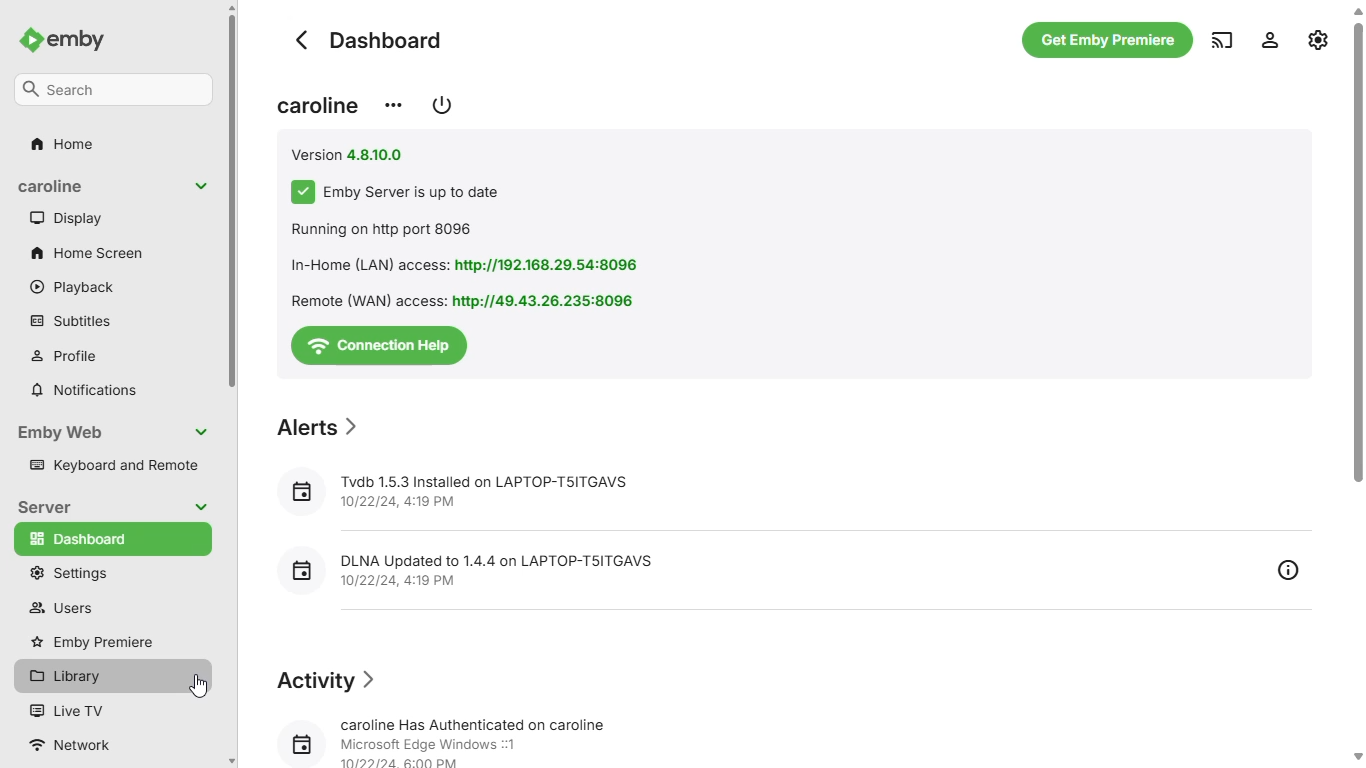 This screenshot has height=768, width=1366. What do you see at coordinates (330, 681) in the screenshot?
I see `activity` at bounding box center [330, 681].